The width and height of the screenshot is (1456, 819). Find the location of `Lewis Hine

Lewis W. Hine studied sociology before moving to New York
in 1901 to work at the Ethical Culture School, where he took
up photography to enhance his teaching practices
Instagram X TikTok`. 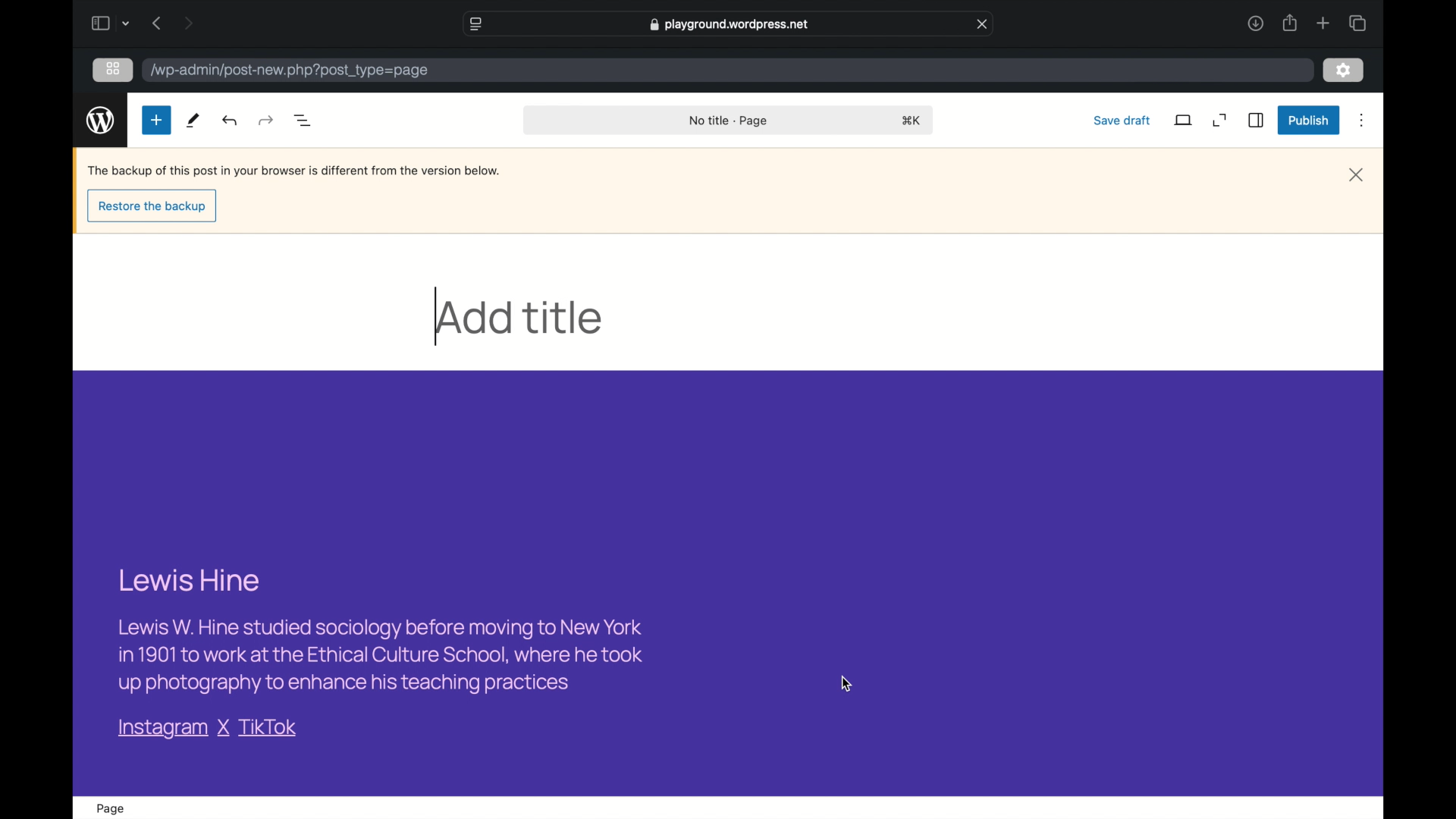

Lewis Hine

Lewis W. Hine studied sociology before moving to New York
in 1901 to work at the Ethical Culture School, where he took
up photography to enhance his teaching practices
Instagram X TikTok is located at coordinates (379, 654).